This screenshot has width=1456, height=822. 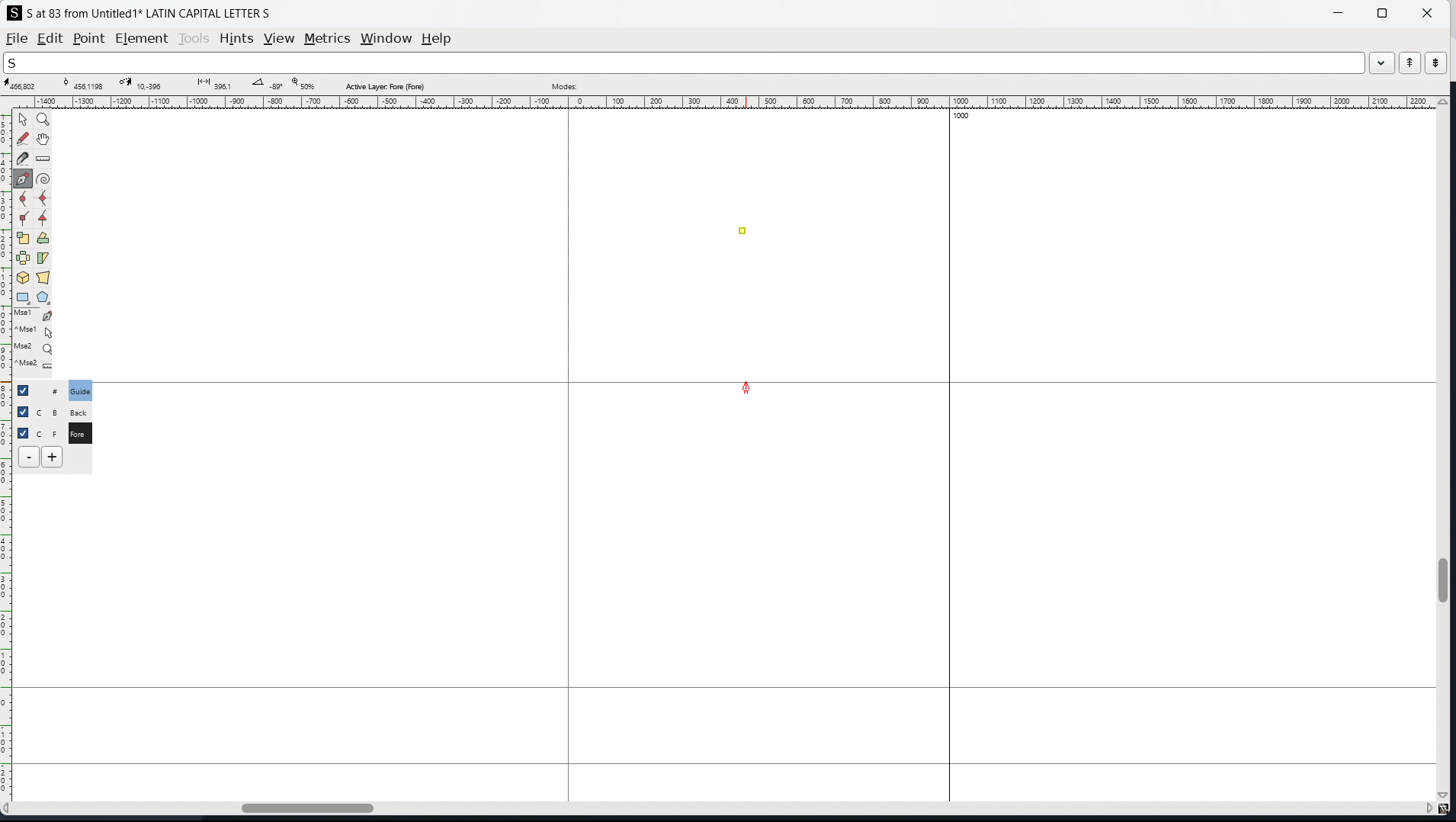 What do you see at coordinates (720, 102) in the screenshot?
I see `horizontal ruler` at bounding box center [720, 102].